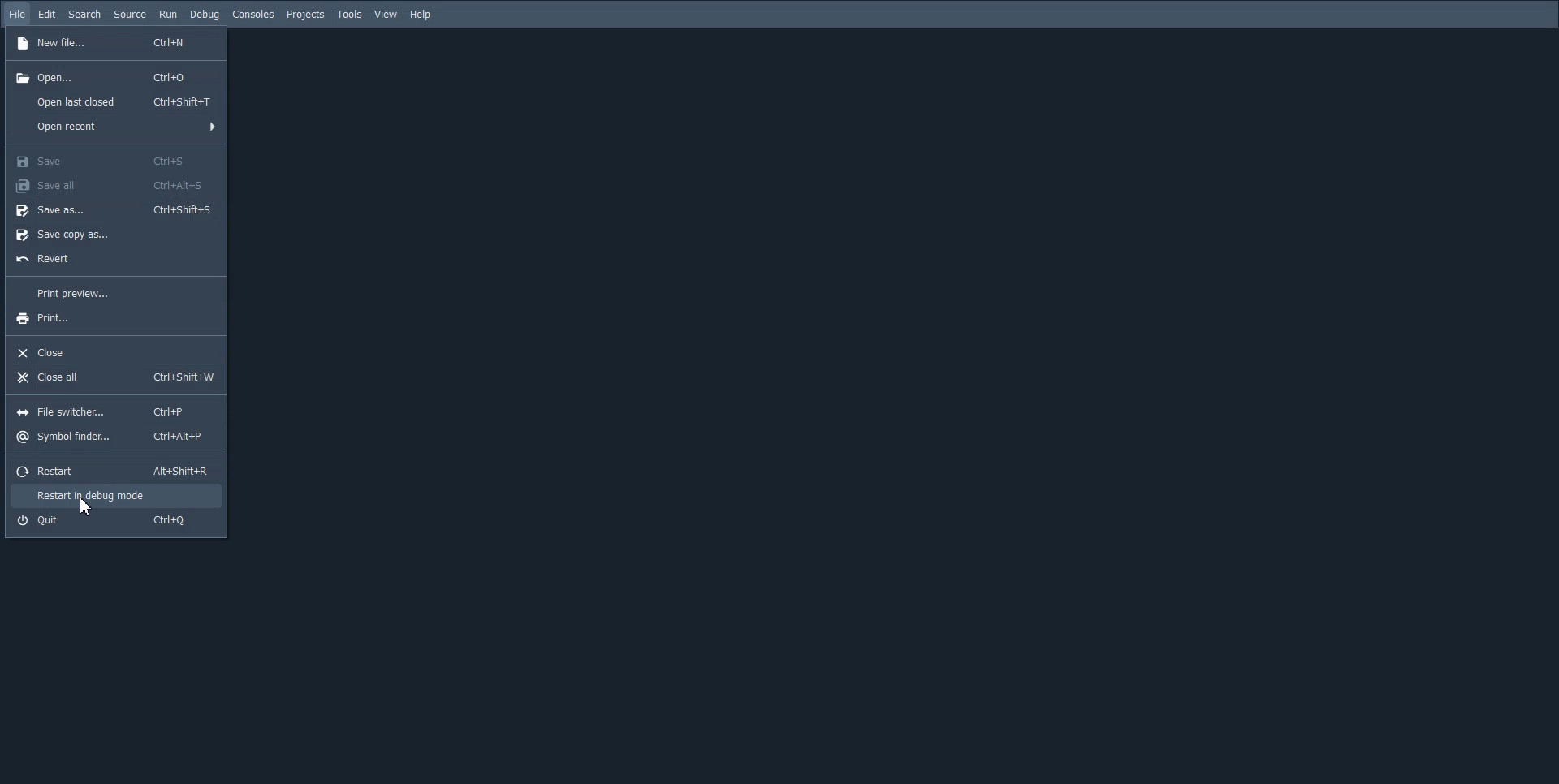 Image resolution: width=1559 pixels, height=784 pixels. I want to click on Restart, so click(116, 470).